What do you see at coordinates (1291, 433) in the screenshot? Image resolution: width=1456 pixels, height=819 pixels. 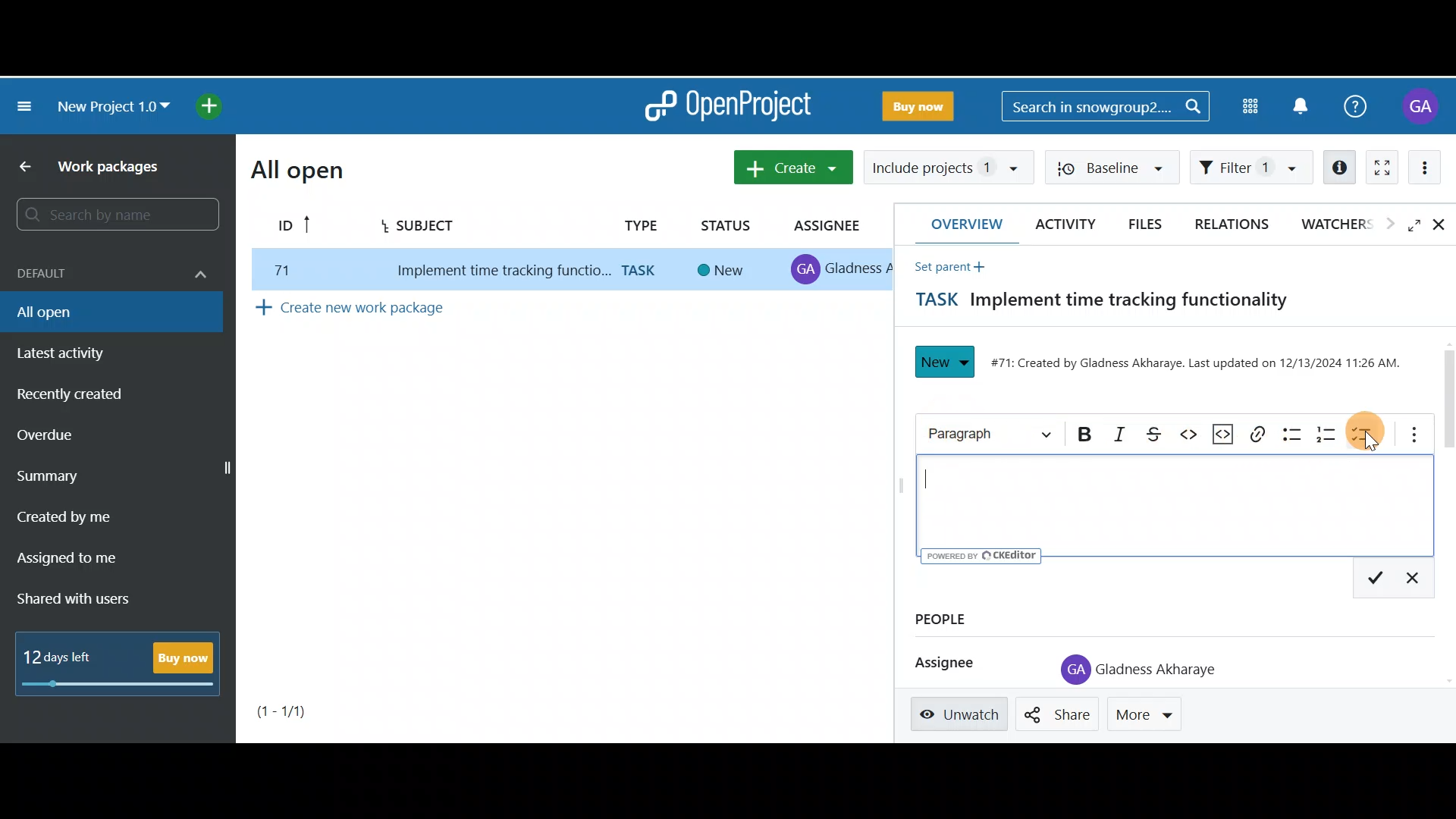 I see `Bulleted list` at bounding box center [1291, 433].